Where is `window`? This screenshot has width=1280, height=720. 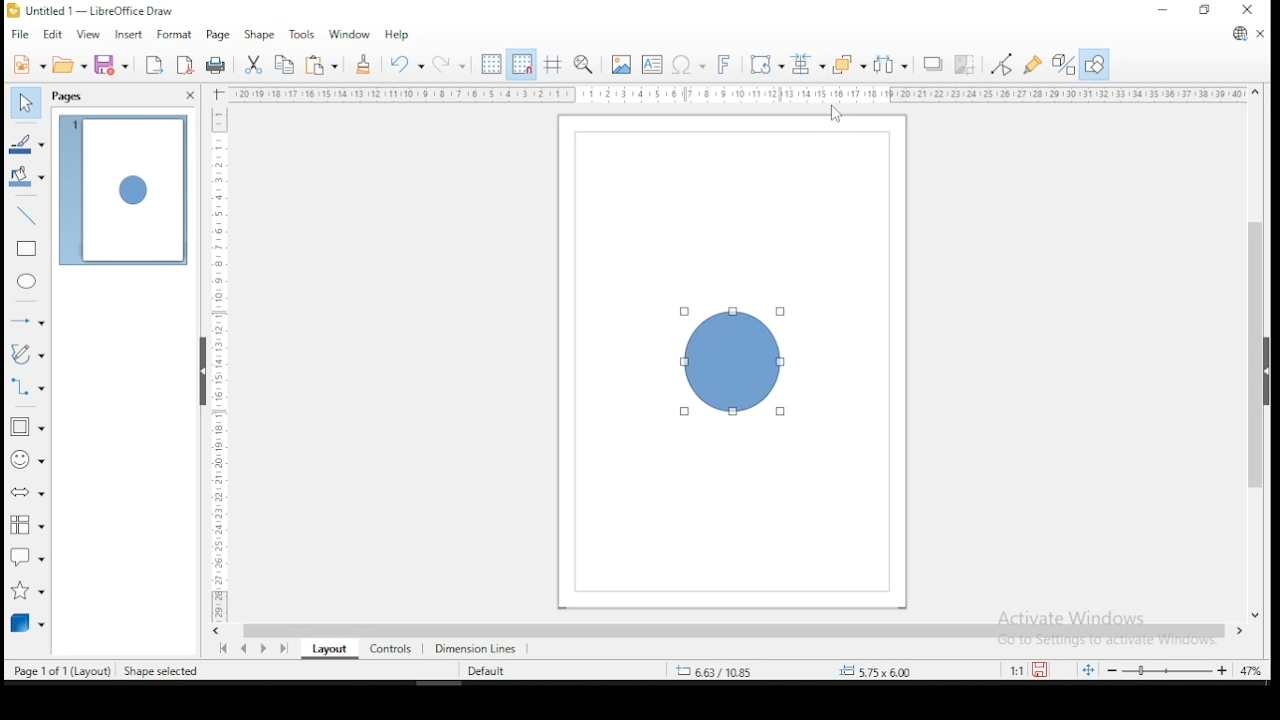
window is located at coordinates (349, 33).